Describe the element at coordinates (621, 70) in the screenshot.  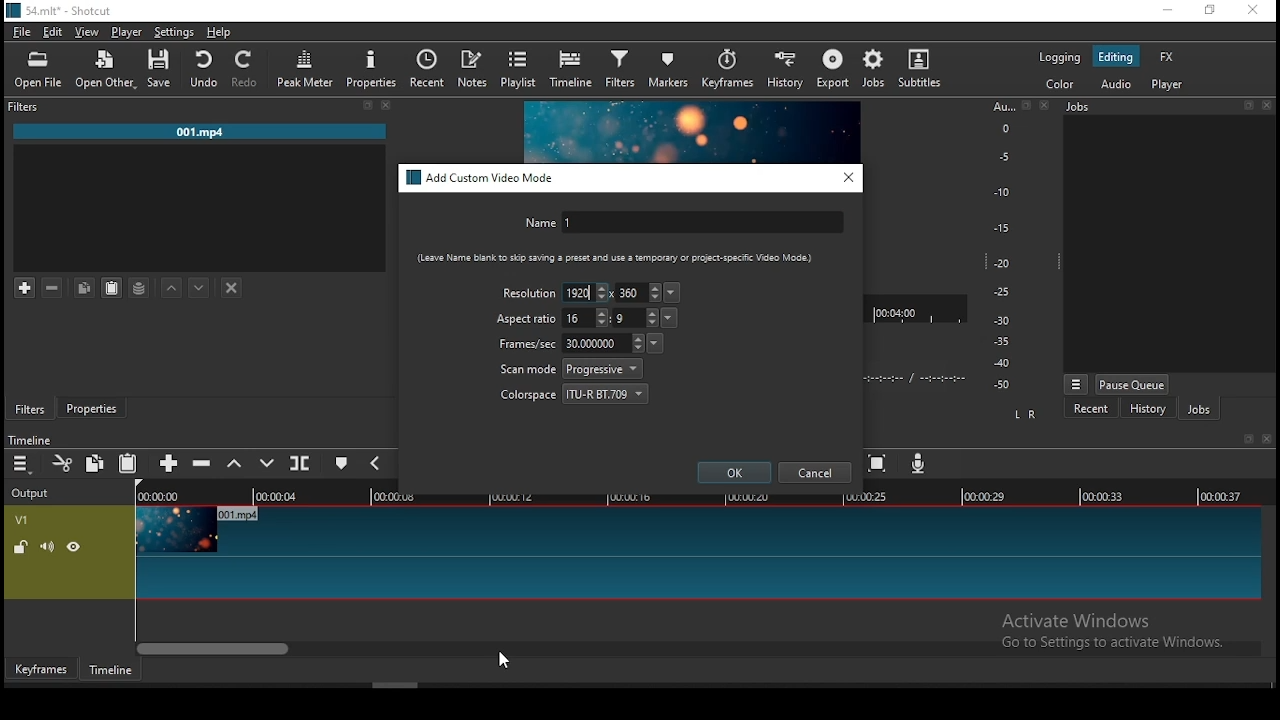
I see `filter` at that location.